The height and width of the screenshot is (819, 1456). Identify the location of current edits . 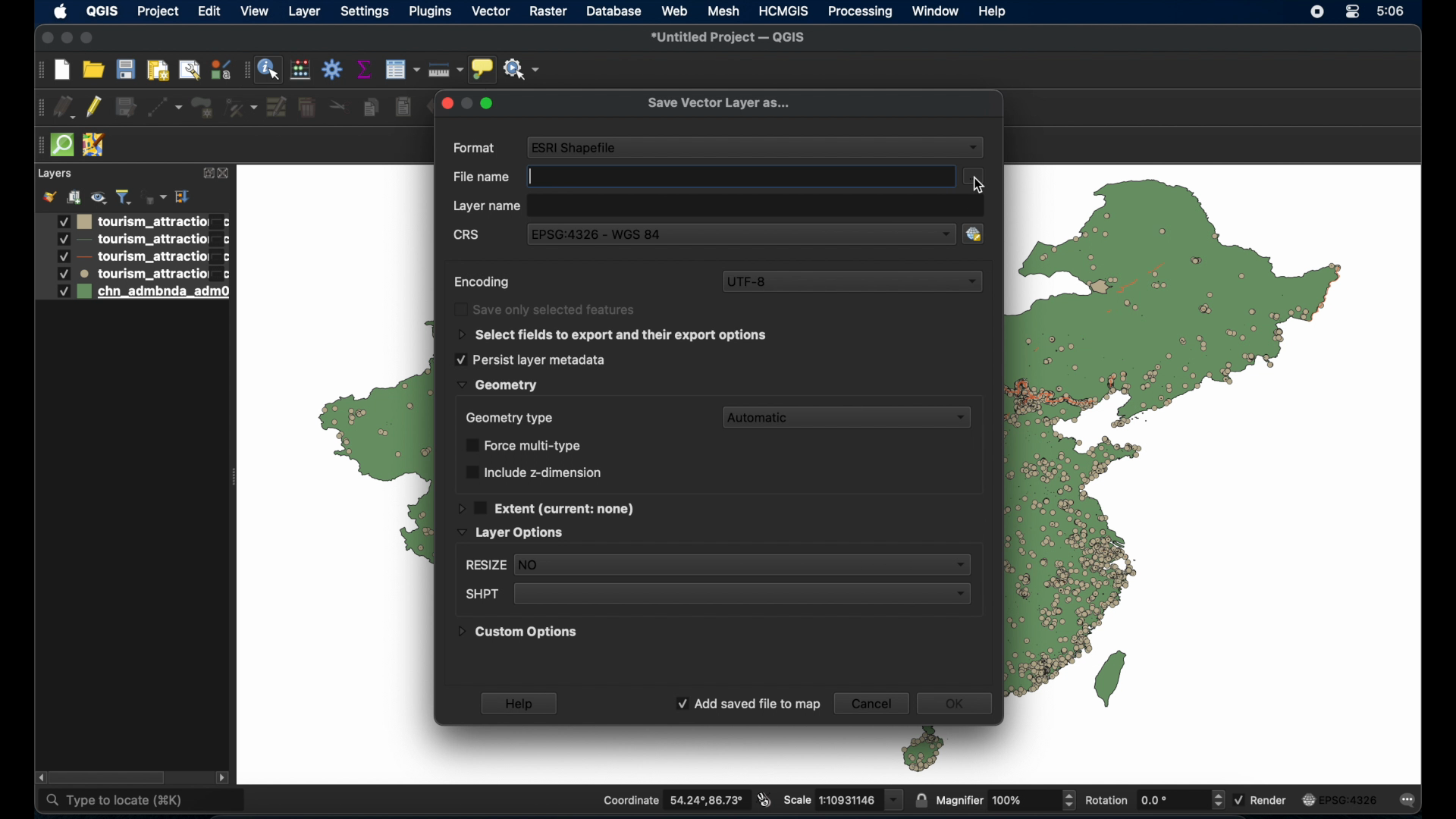
(65, 108).